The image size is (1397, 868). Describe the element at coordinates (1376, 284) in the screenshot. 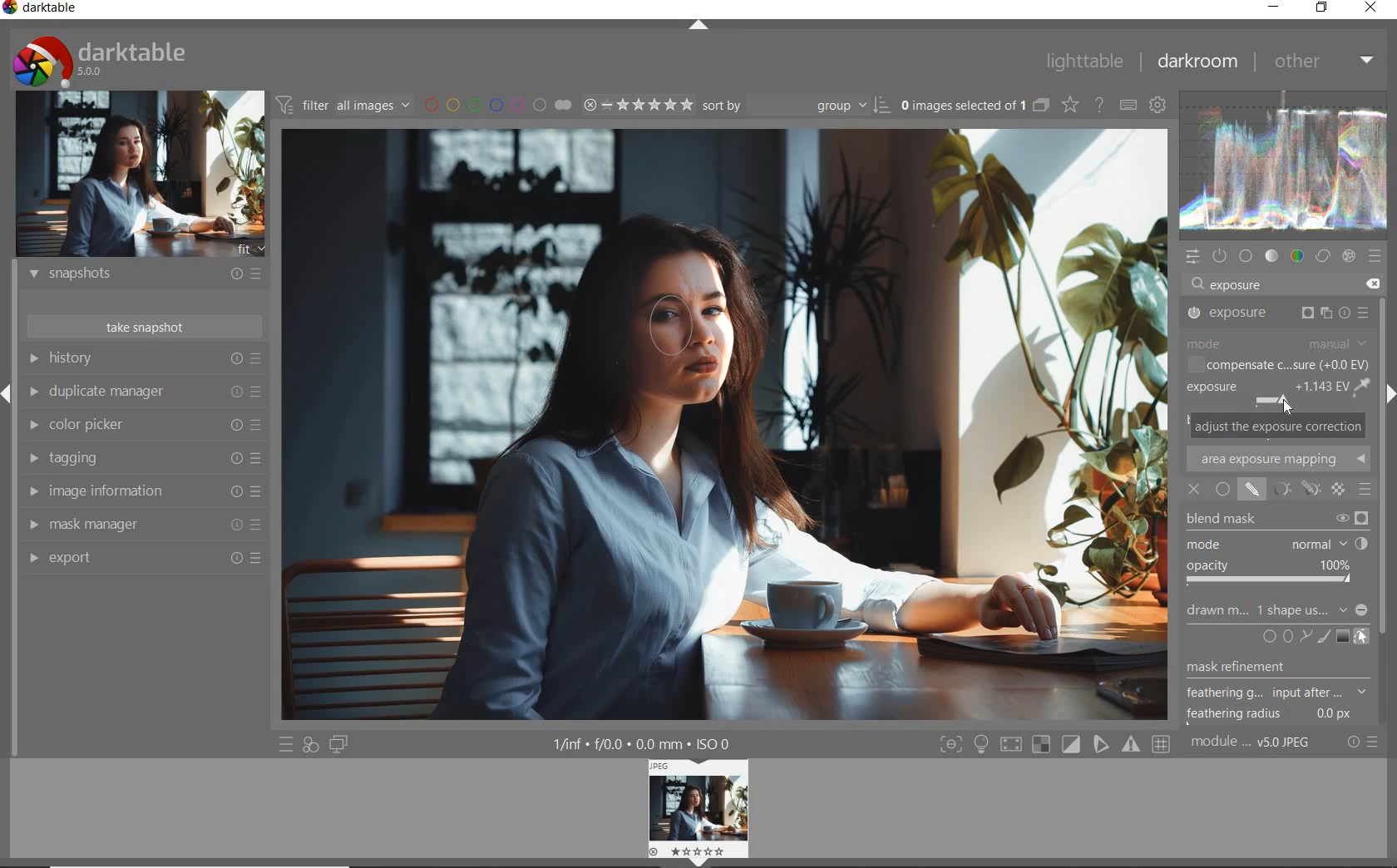

I see `delete` at that location.